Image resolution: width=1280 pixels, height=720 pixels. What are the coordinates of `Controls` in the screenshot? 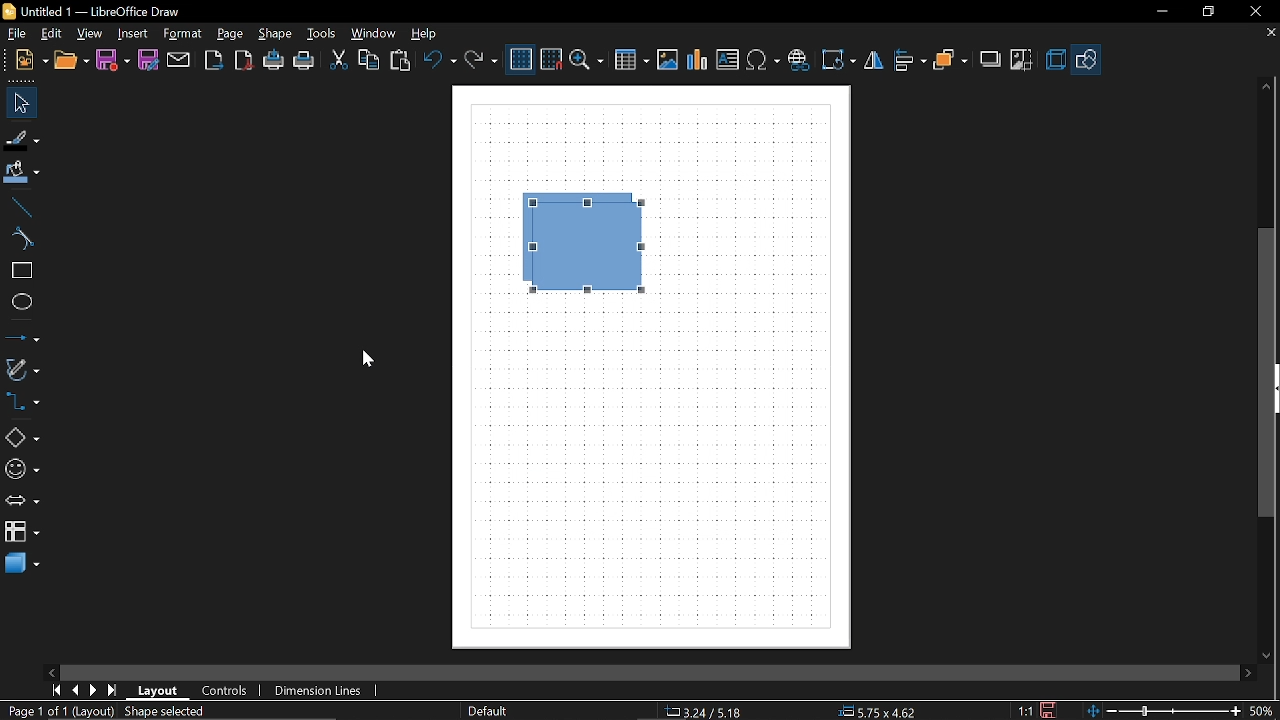 It's located at (226, 691).